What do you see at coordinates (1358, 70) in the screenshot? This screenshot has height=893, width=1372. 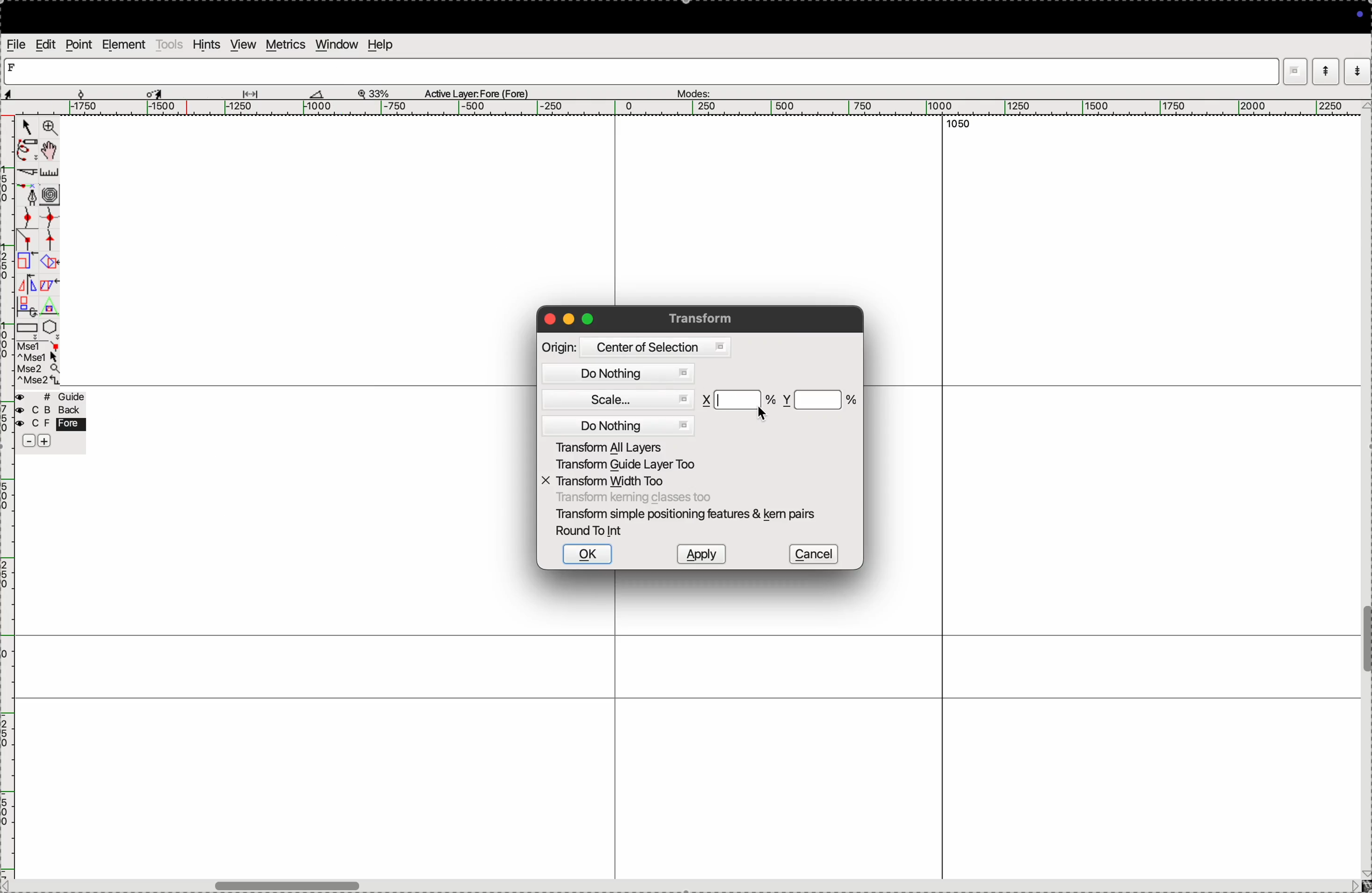 I see `mode down` at bounding box center [1358, 70].